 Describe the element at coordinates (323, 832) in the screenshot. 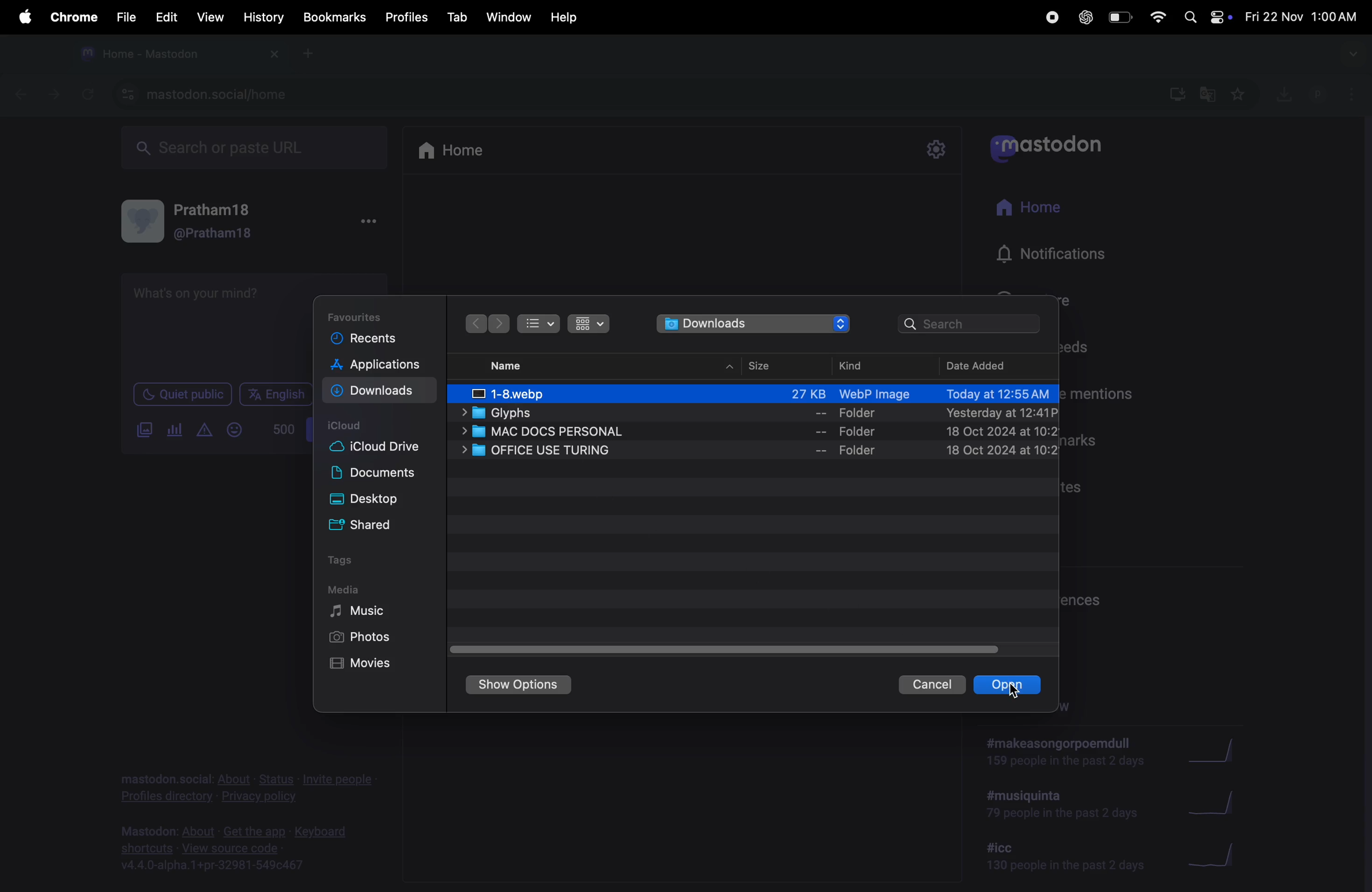

I see `keyboard` at that location.